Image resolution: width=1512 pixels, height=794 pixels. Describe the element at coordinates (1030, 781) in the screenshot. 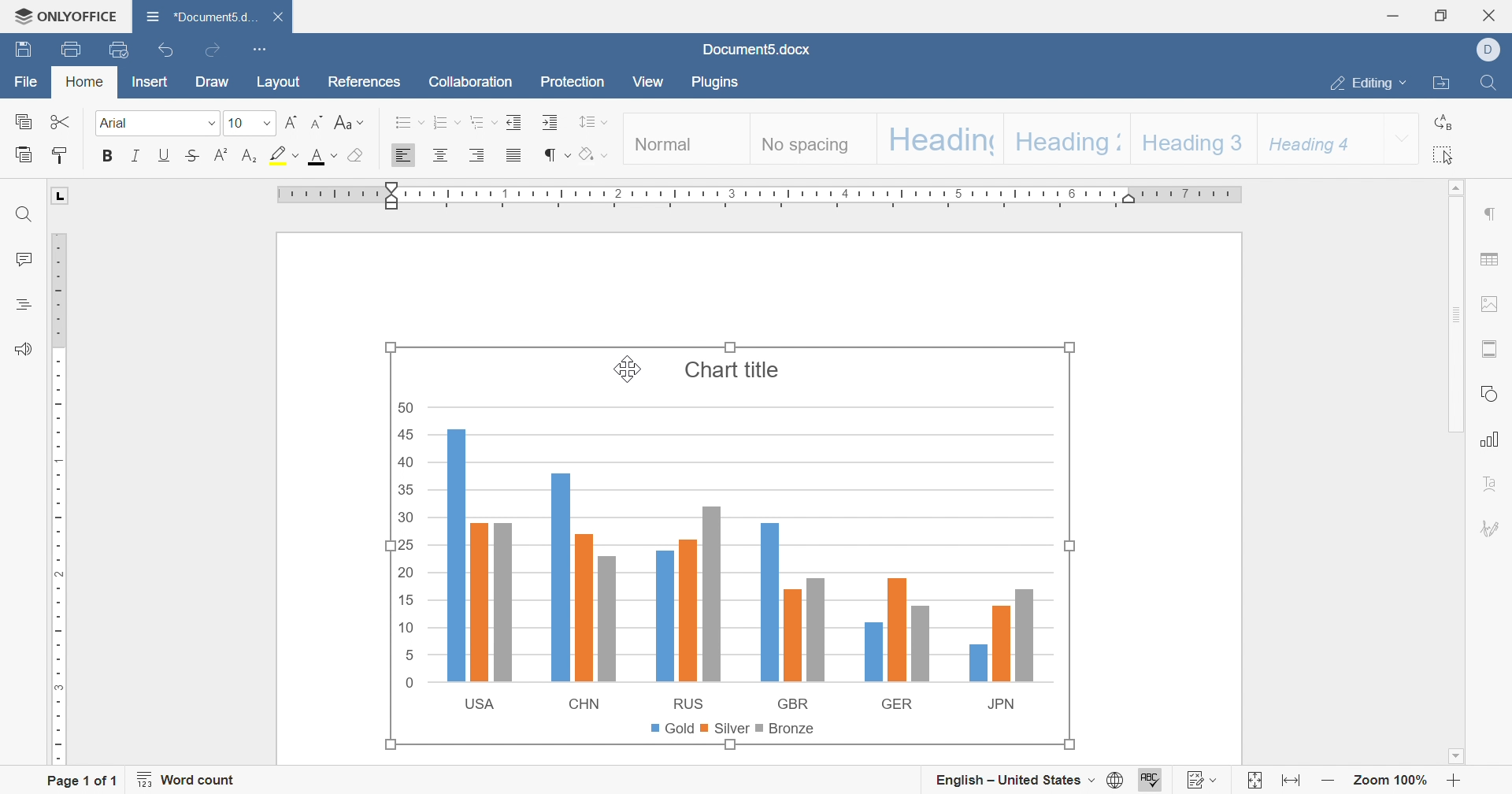

I see `set document language` at that location.